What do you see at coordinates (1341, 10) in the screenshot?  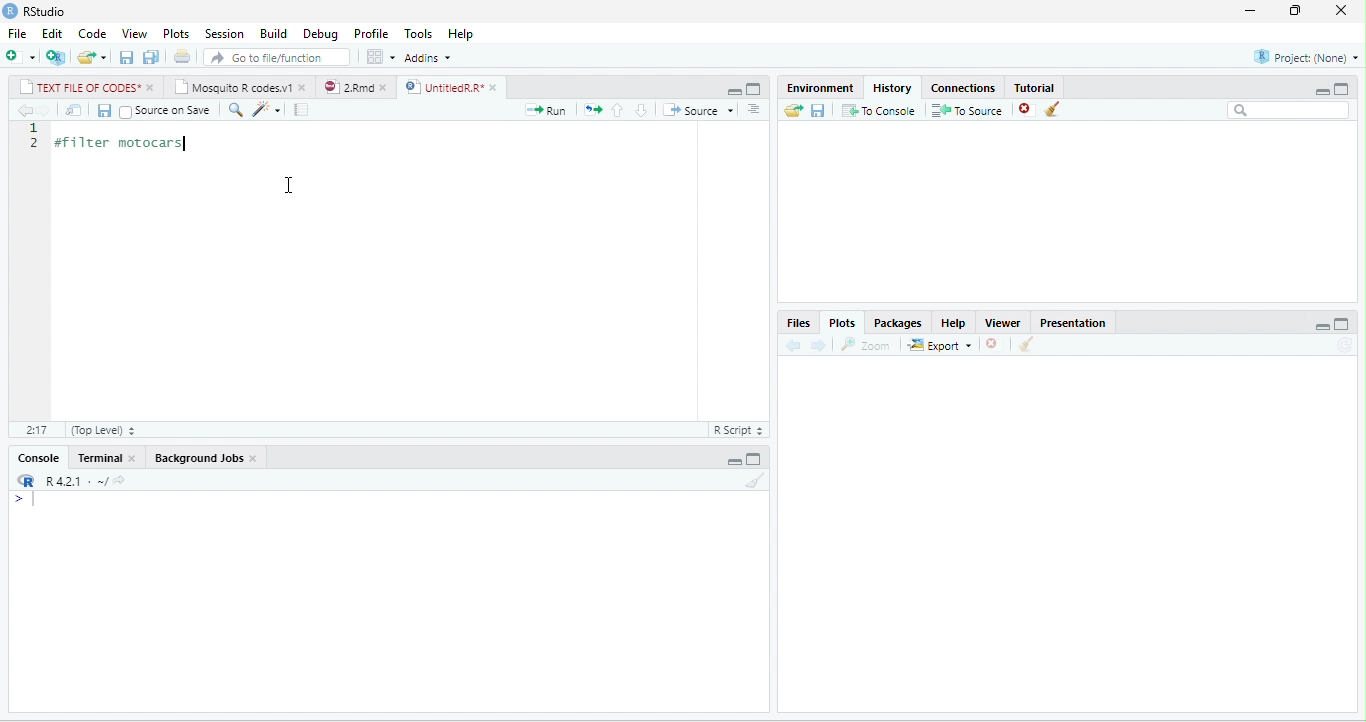 I see `close` at bounding box center [1341, 10].